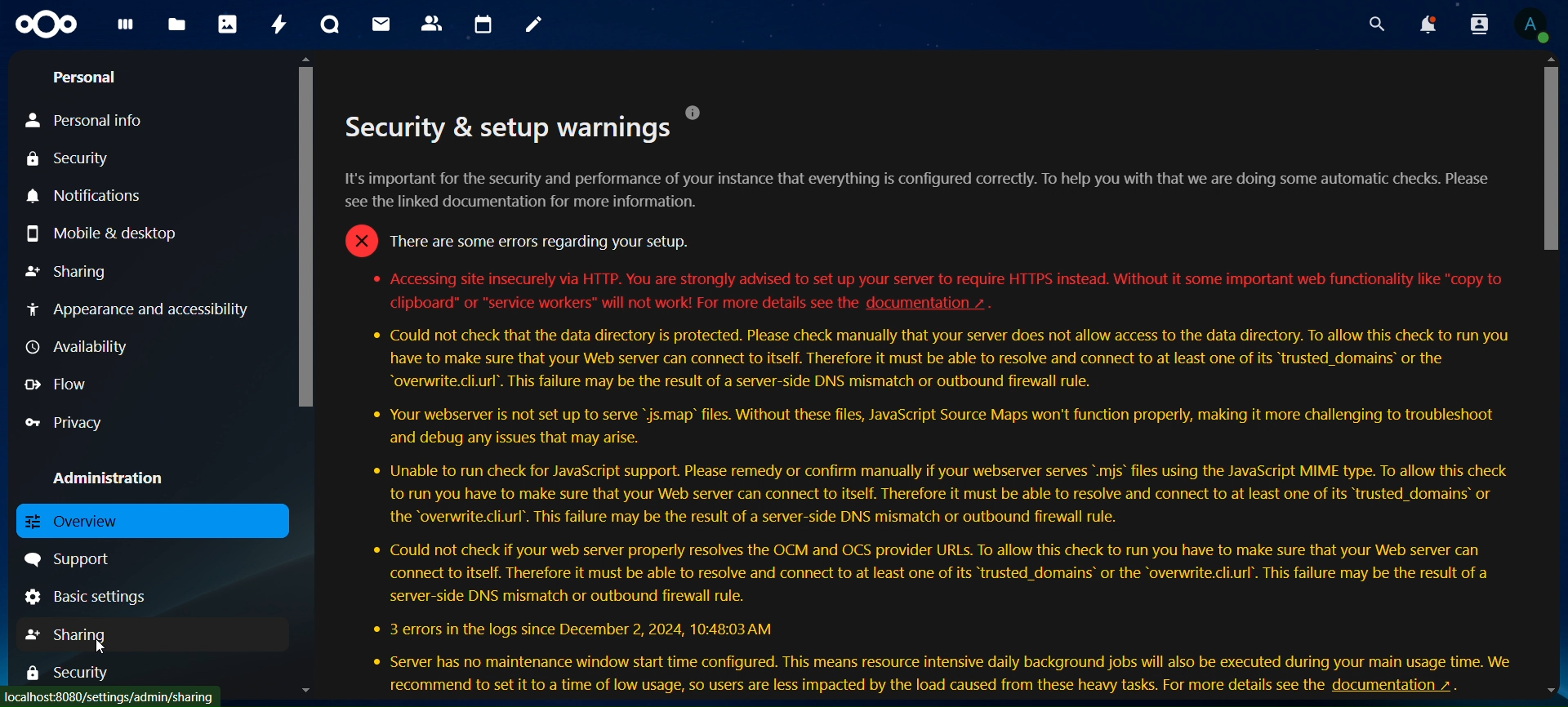 This screenshot has width=1568, height=707. I want to click on view profile, so click(1538, 24).